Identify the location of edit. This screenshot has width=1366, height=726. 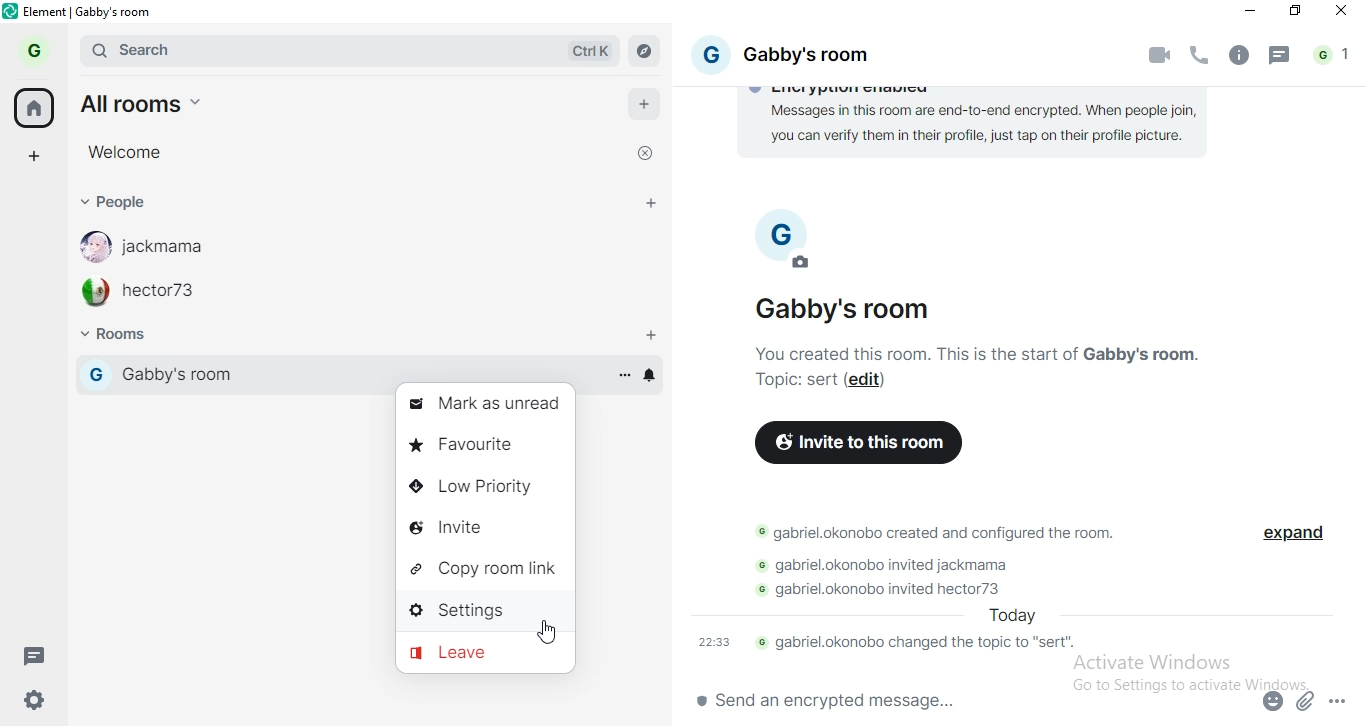
(868, 381).